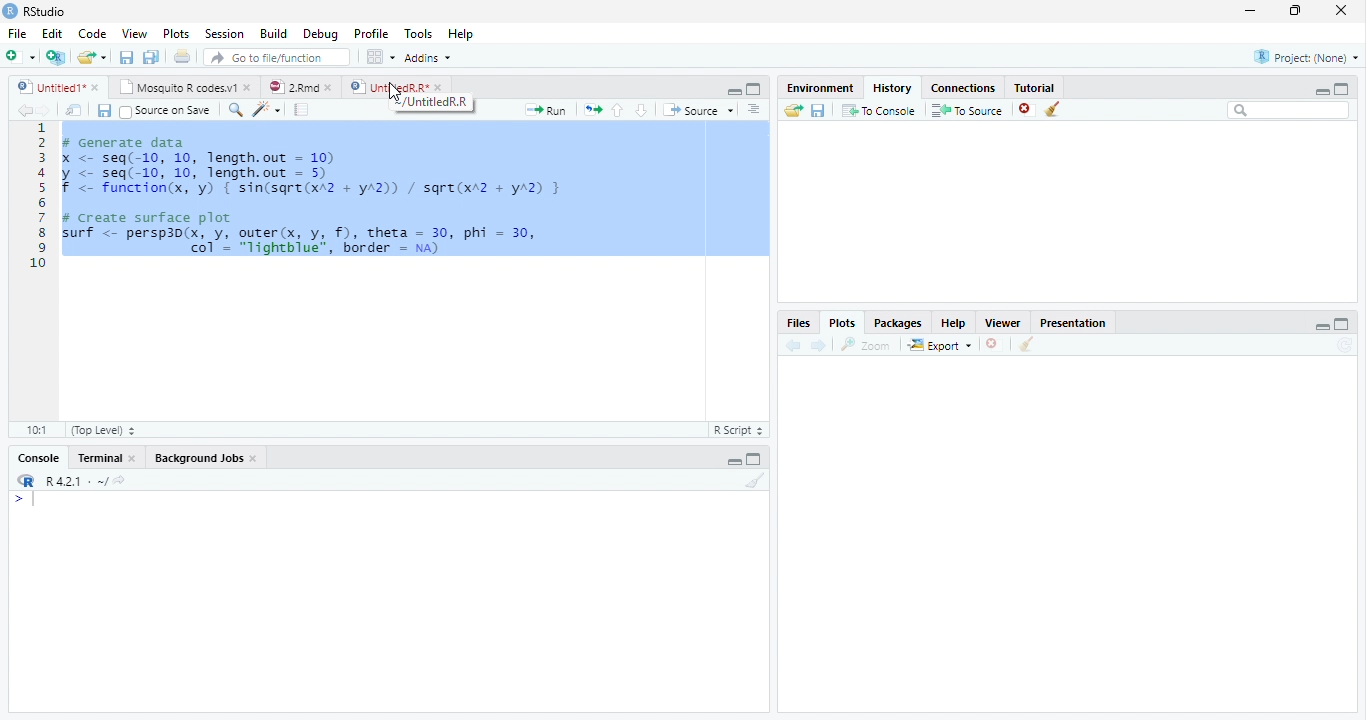 This screenshot has height=720, width=1366. What do you see at coordinates (460, 33) in the screenshot?
I see `Help` at bounding box center [460, 33].